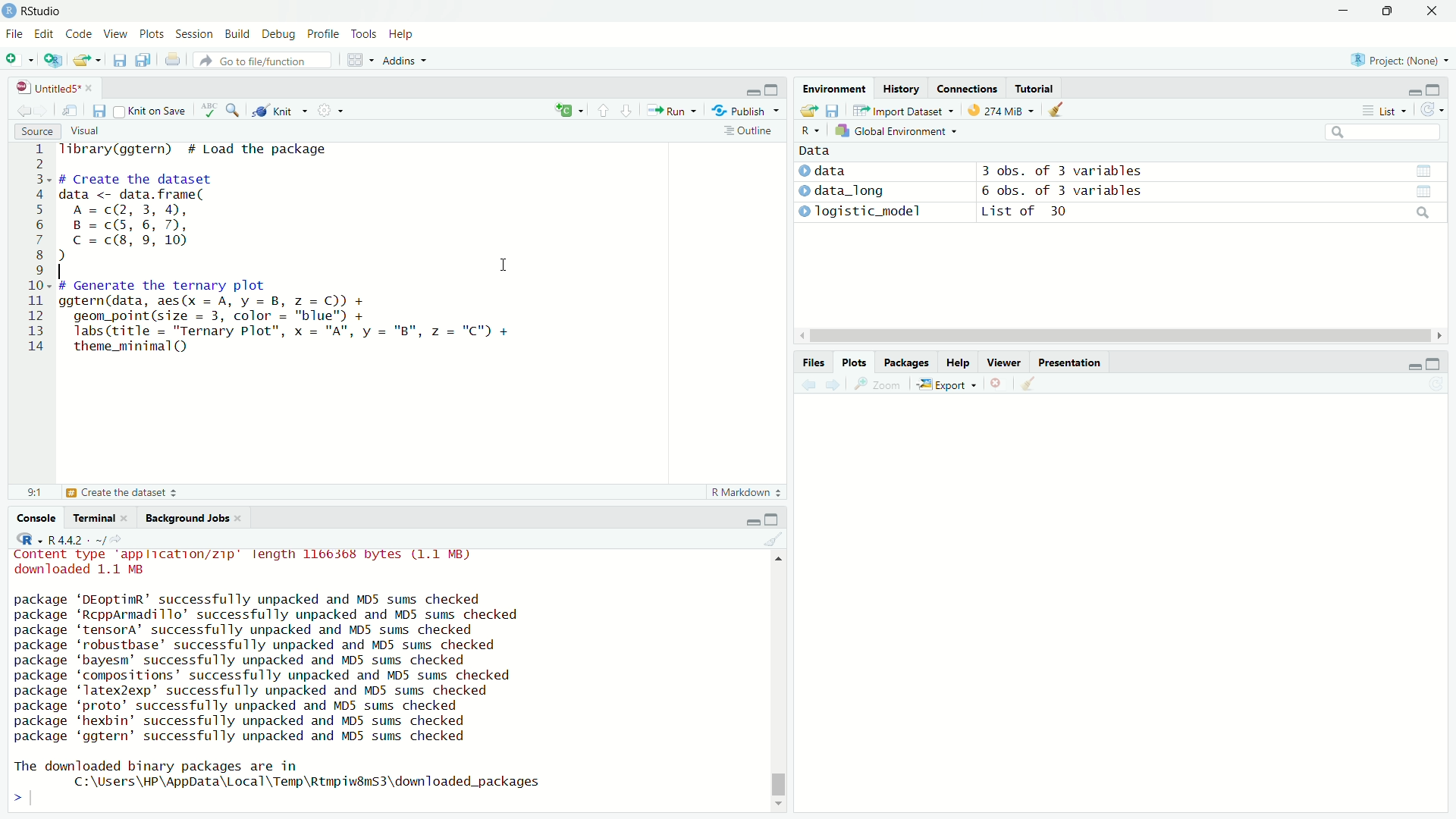 The image size is (1456, 819). What do you see at coordinates (361, 62) in the screenshot?
I see `grid` at bounding box center [361, 62].